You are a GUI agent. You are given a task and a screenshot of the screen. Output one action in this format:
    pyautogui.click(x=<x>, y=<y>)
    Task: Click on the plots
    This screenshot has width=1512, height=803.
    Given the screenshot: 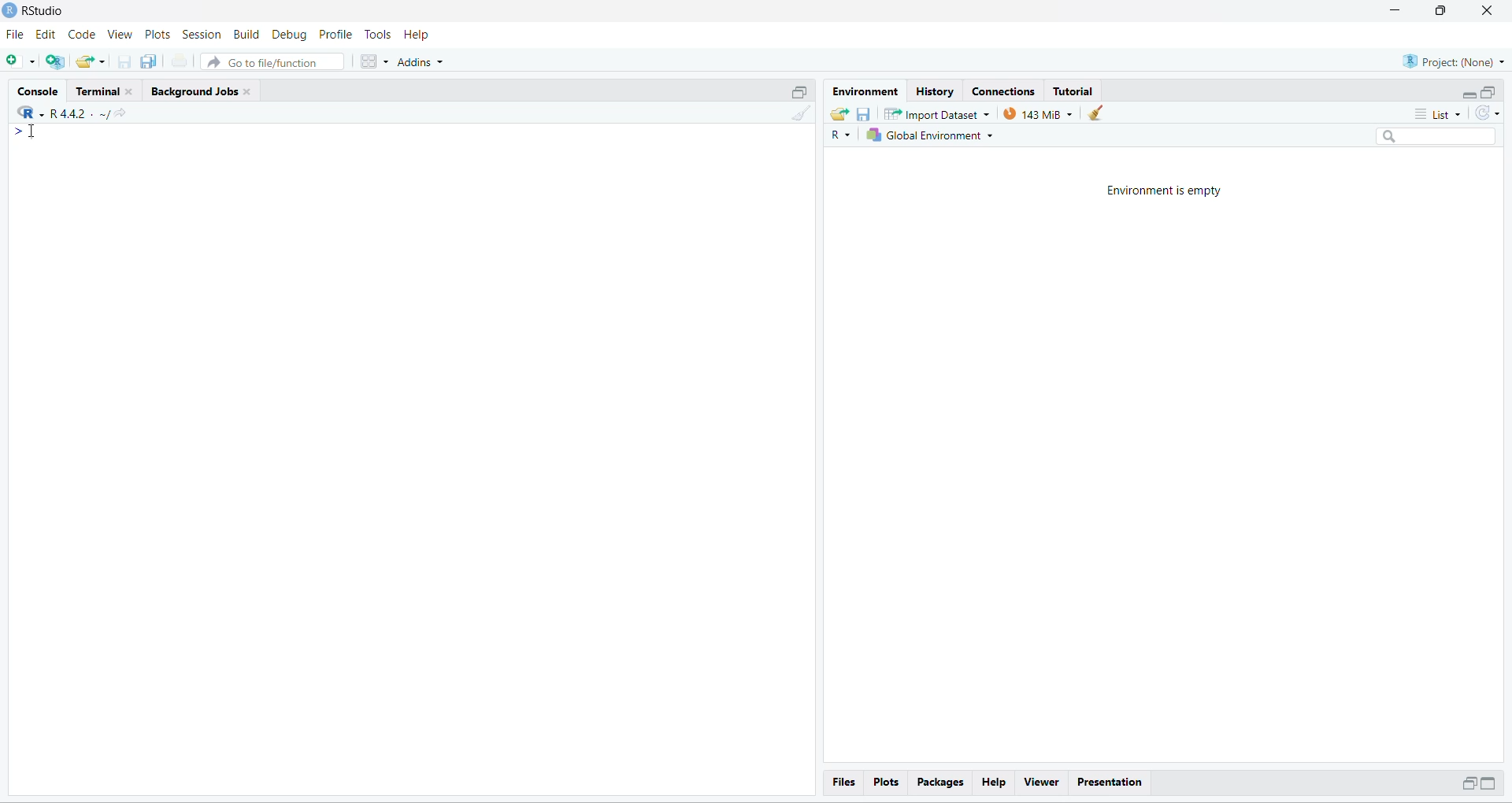 What is the action you would take?
    pyautogui.click(x=158, y=35)
    